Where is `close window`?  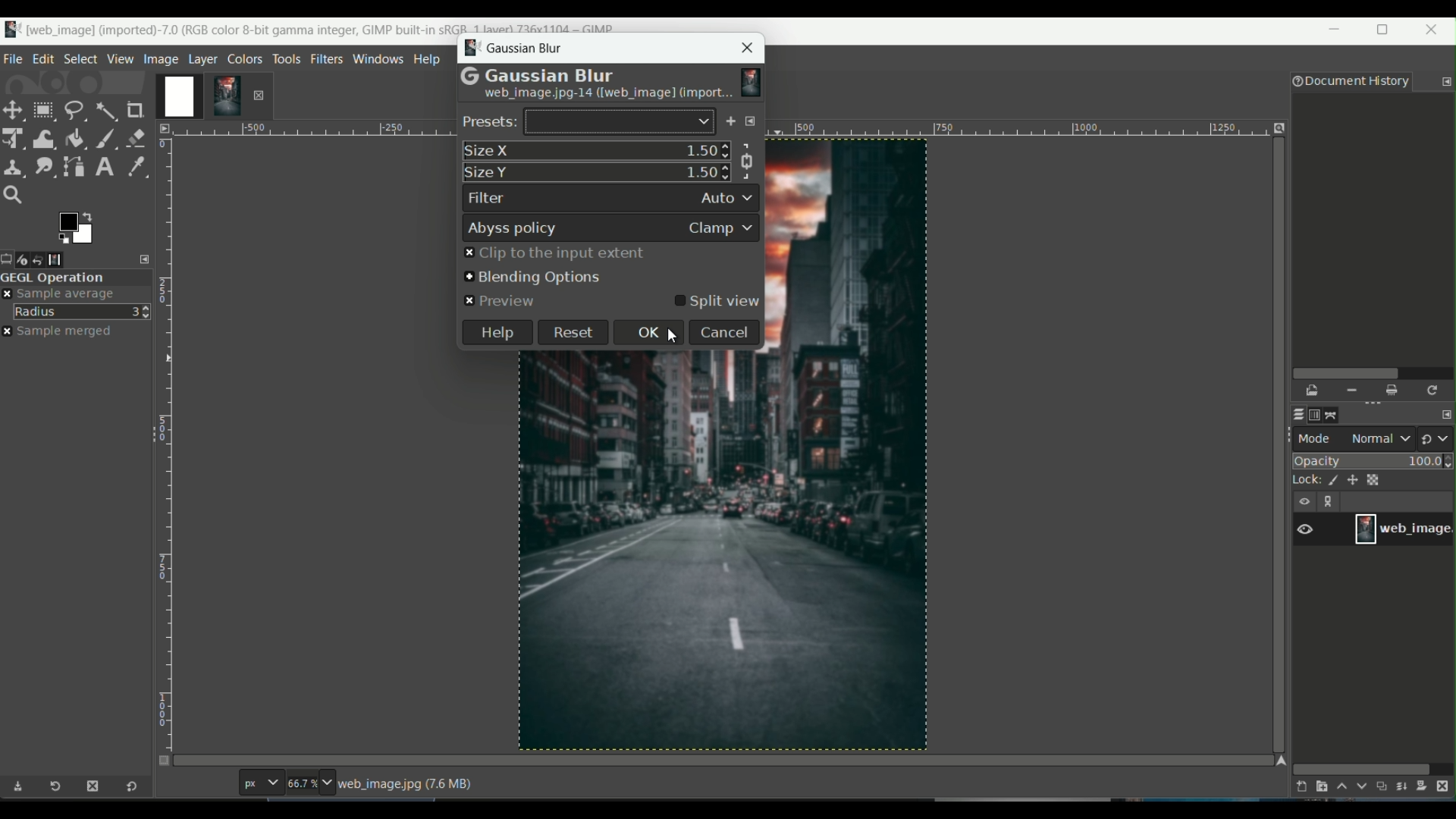
close window is located at coordinates (748, 47).